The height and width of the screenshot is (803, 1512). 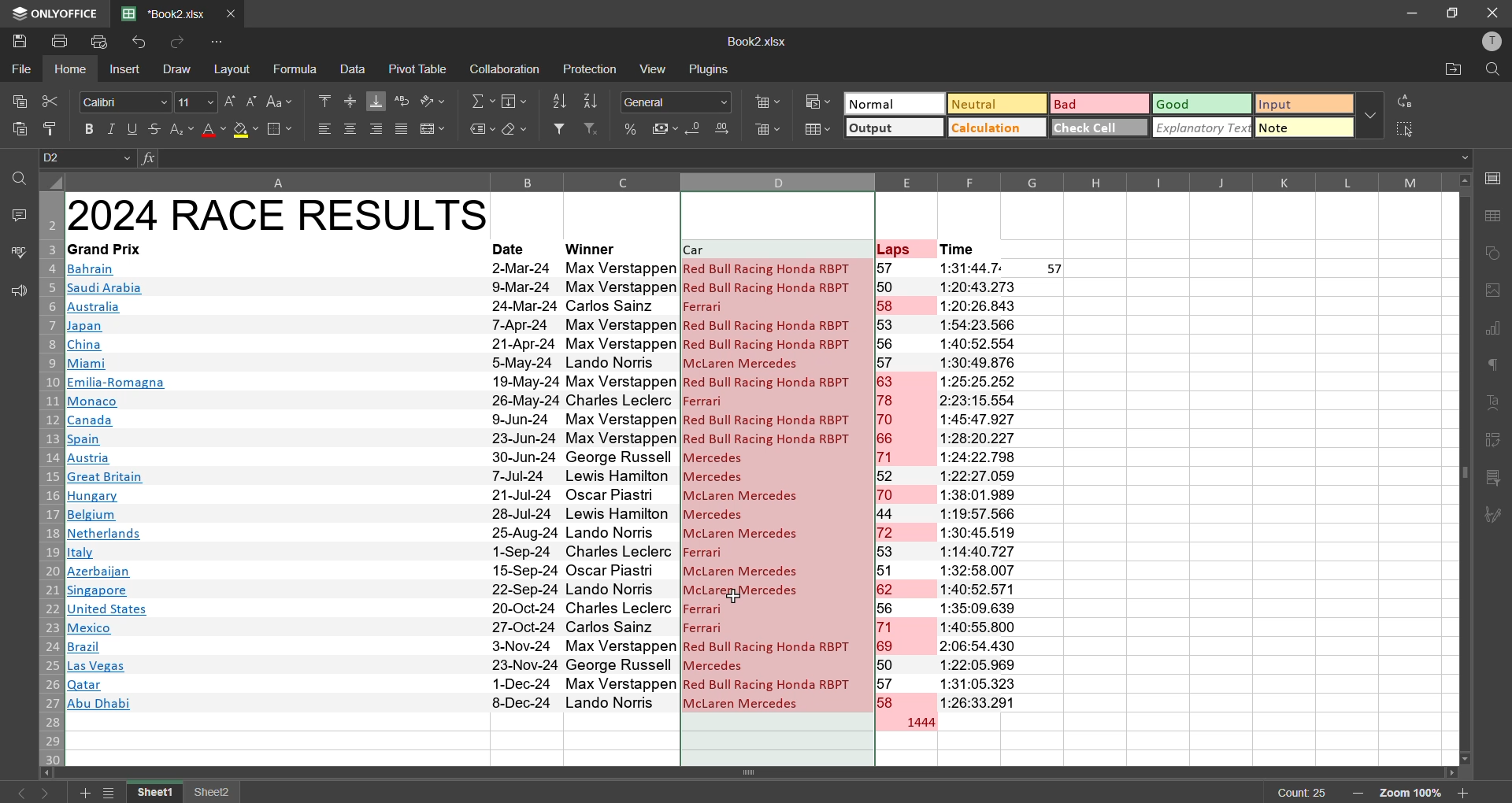 I want to click on borders, so click(x=280, y=130).